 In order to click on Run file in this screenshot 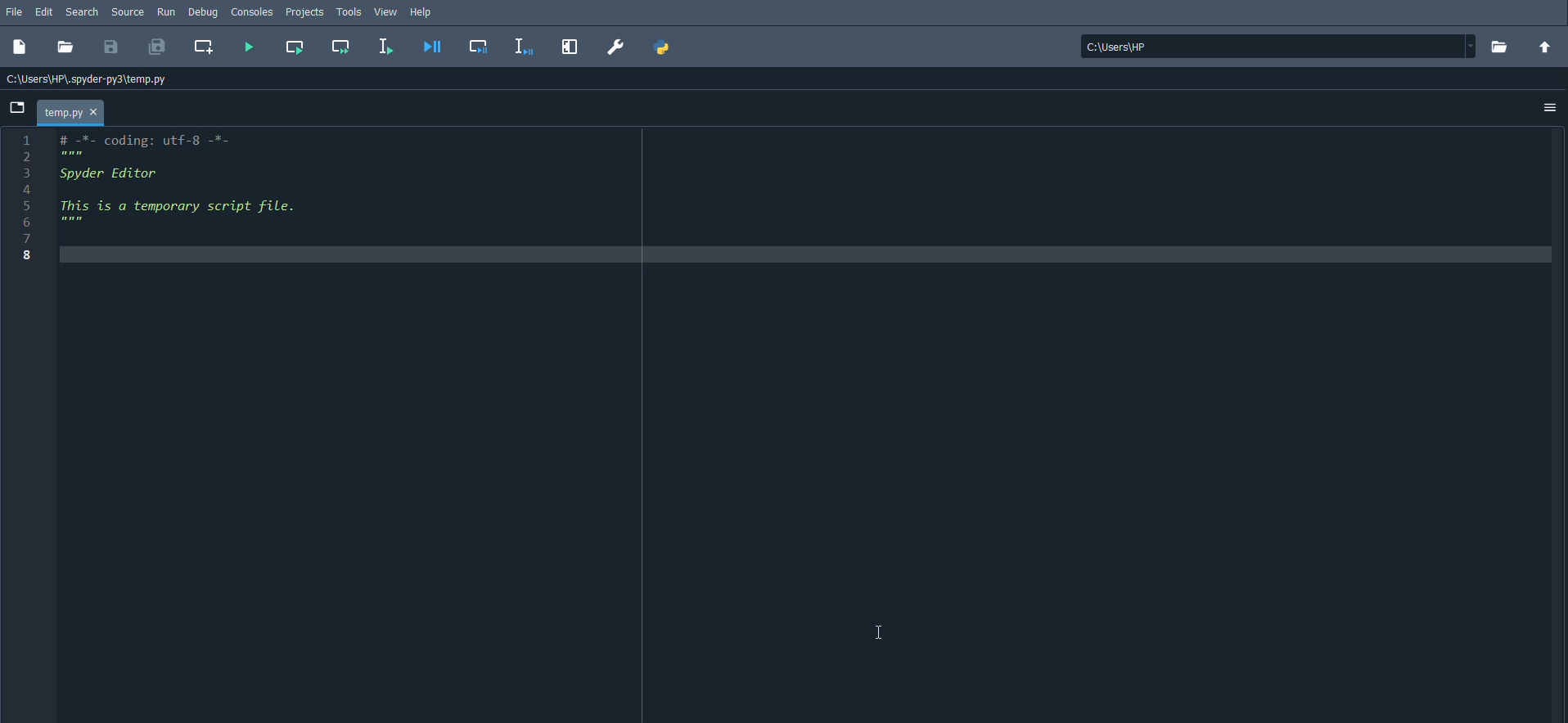, I will do `click(249, 48)`.